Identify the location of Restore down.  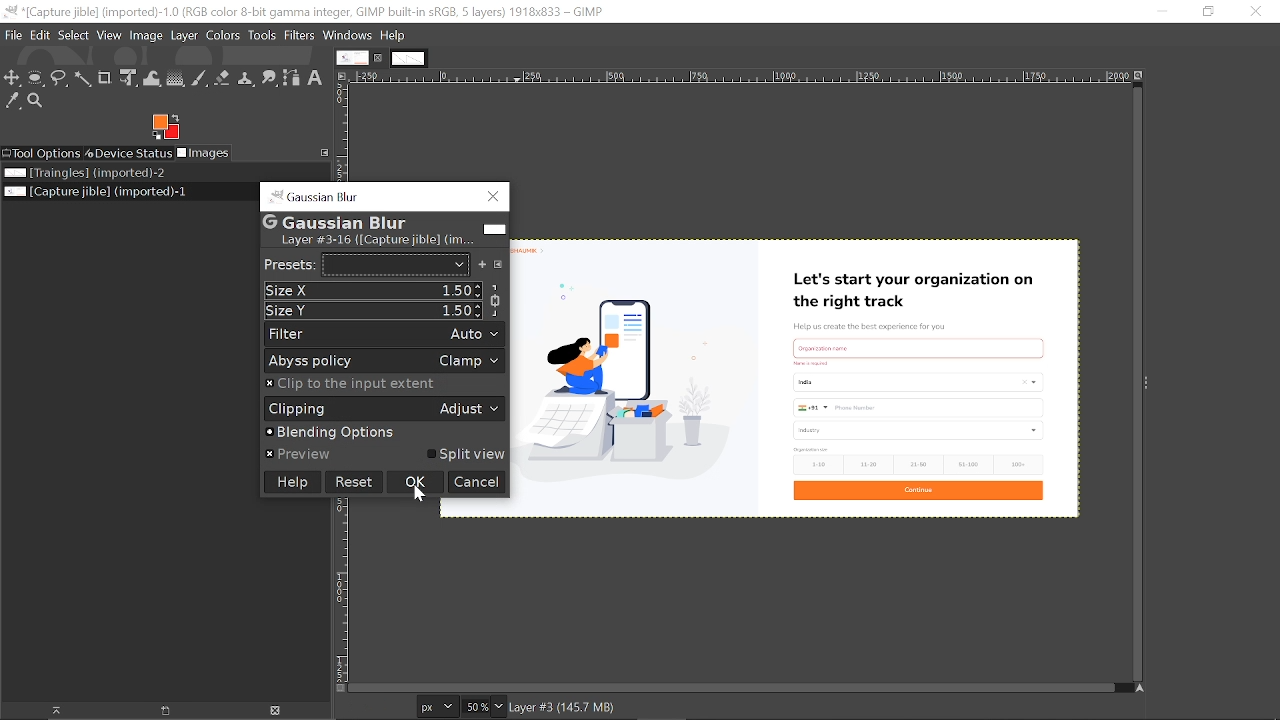
(1205, 11).